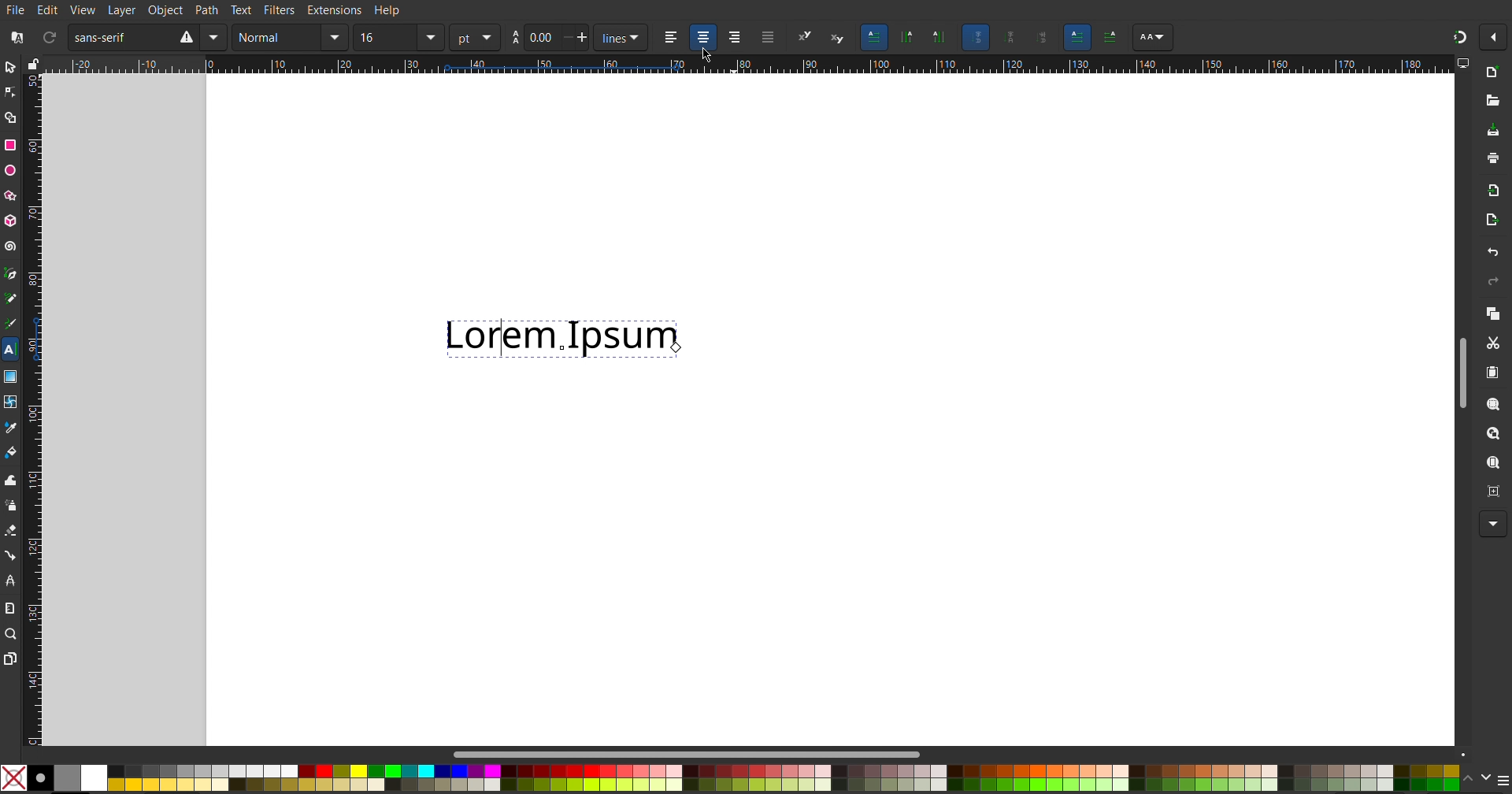  Describe the element at coordinates (571, 336) in the screenshot. I see `Lorem Ipsum` at that location.